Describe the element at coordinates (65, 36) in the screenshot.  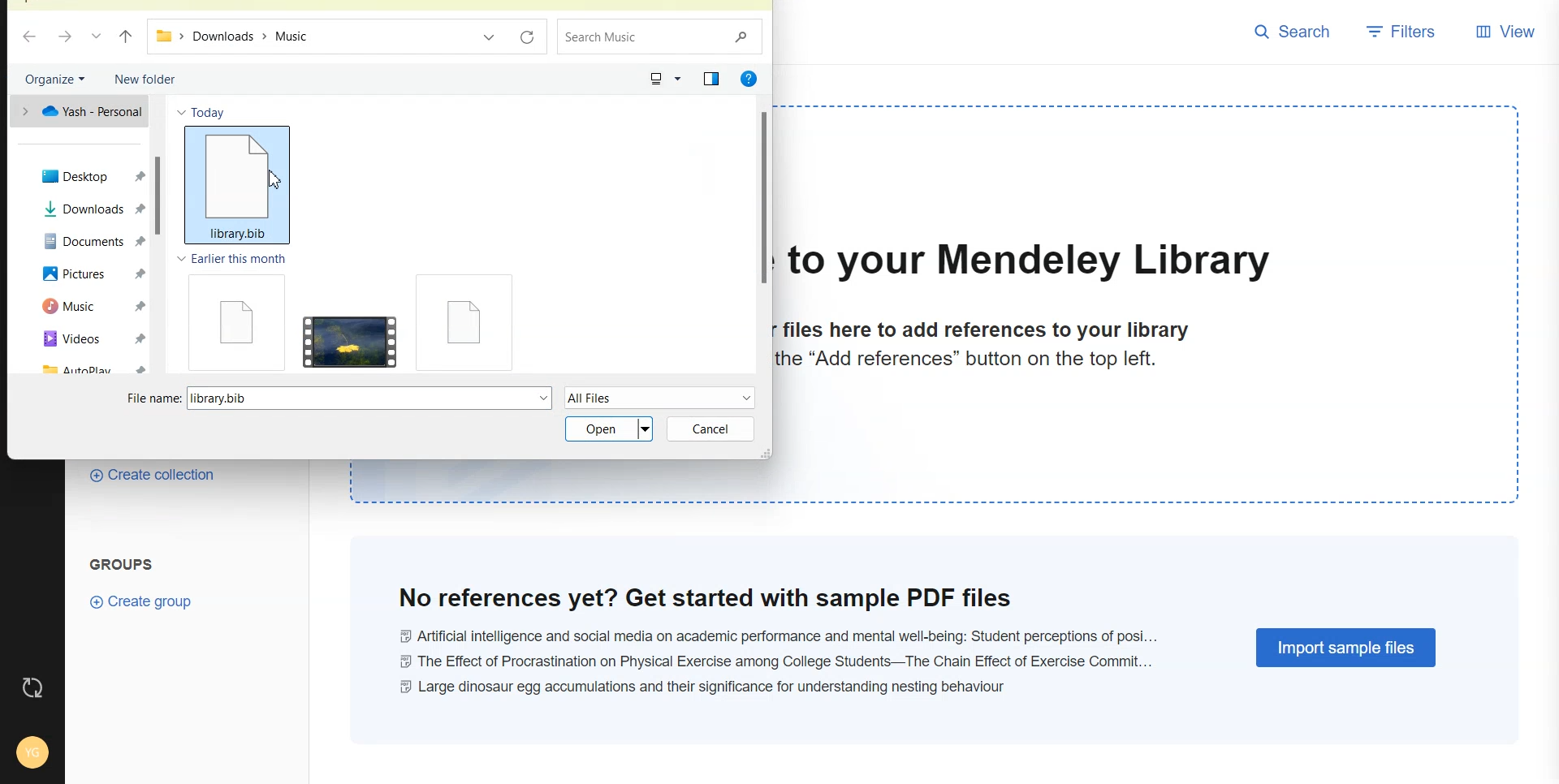
I see `Go Forward` at that location.